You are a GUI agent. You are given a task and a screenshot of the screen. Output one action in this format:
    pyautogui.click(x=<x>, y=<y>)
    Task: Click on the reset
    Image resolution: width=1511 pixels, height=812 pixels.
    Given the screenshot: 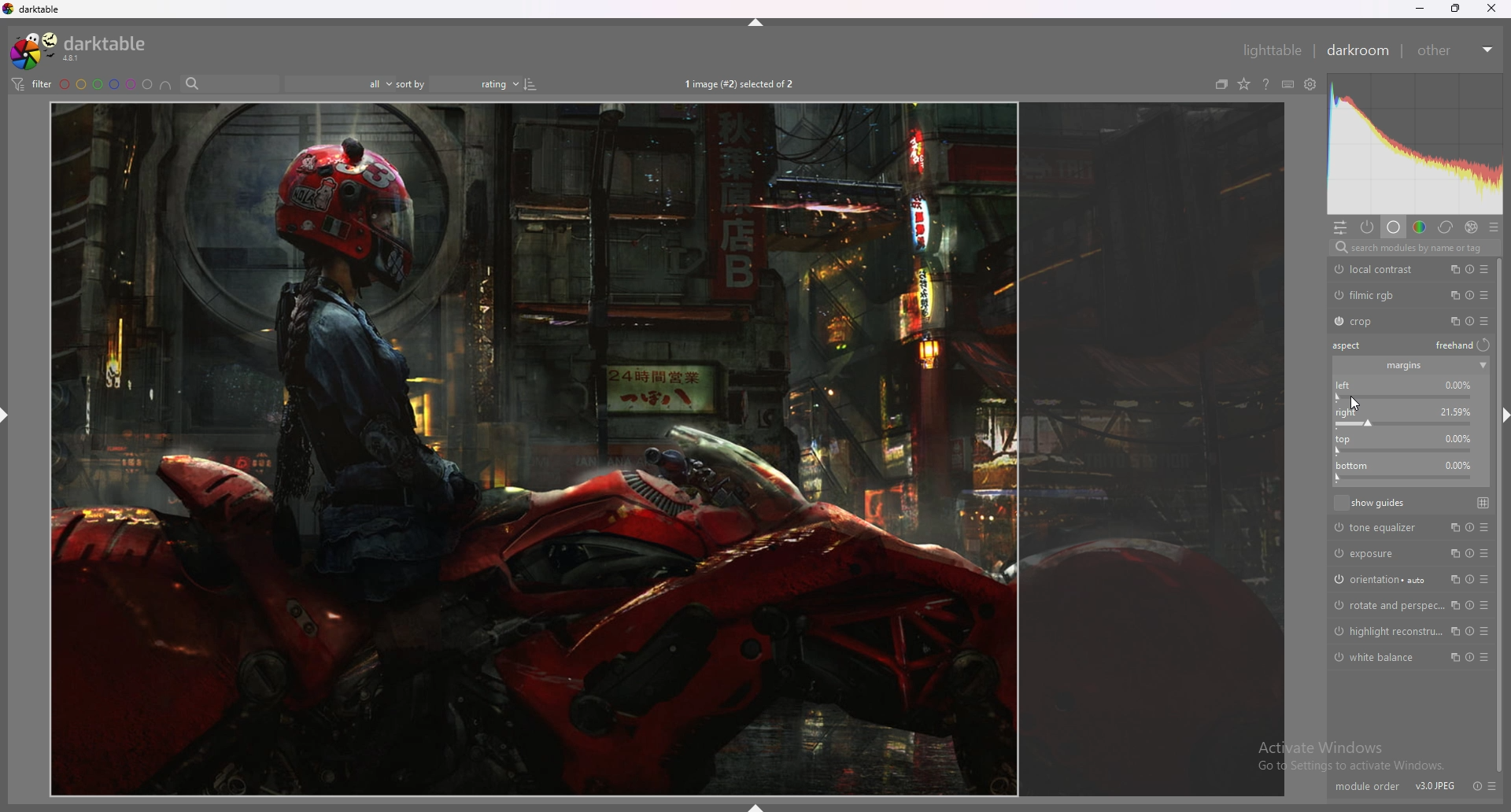 What is the action you would take?
    pyautogui.click(x=1469, y=553)
    